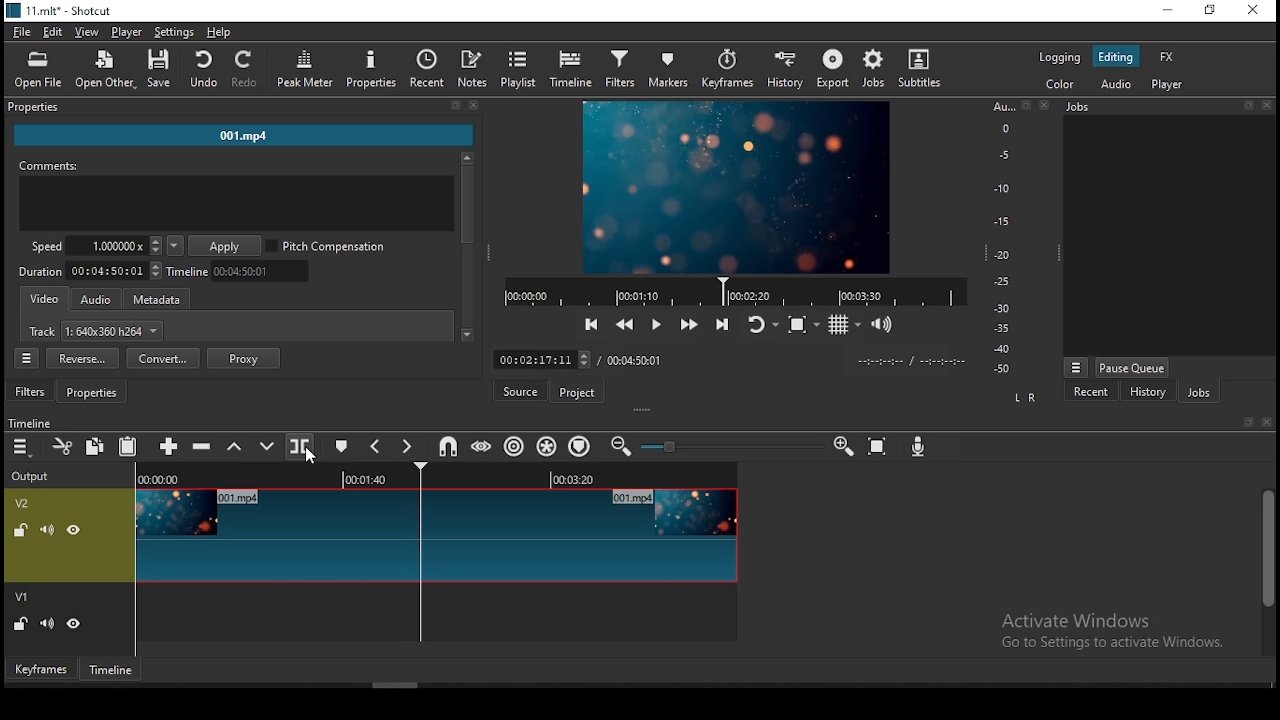 The width and height of the screenshot is (1280, 720). What do you see at coordinates (547, 446) in the screenshot?
I see `ripple all tracks` at bounding box center [547, 446].